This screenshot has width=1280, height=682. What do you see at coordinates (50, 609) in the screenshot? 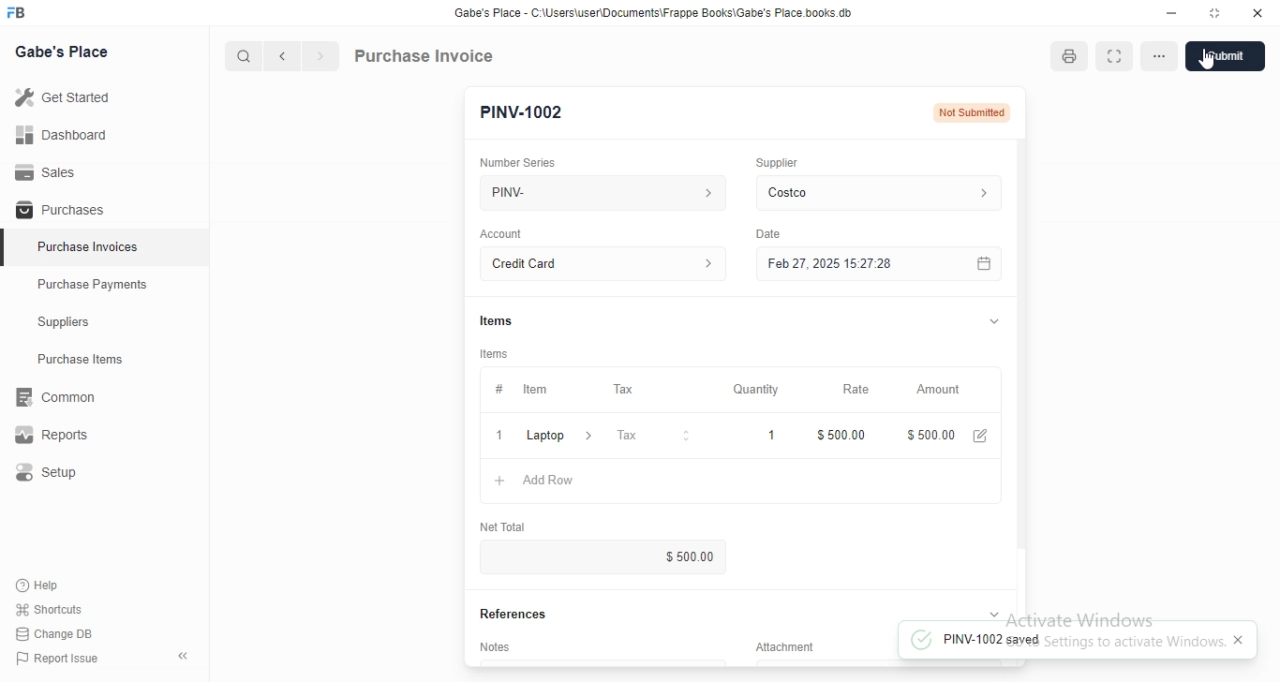
I see `Shortcuts` at bounding box center [50, 609].